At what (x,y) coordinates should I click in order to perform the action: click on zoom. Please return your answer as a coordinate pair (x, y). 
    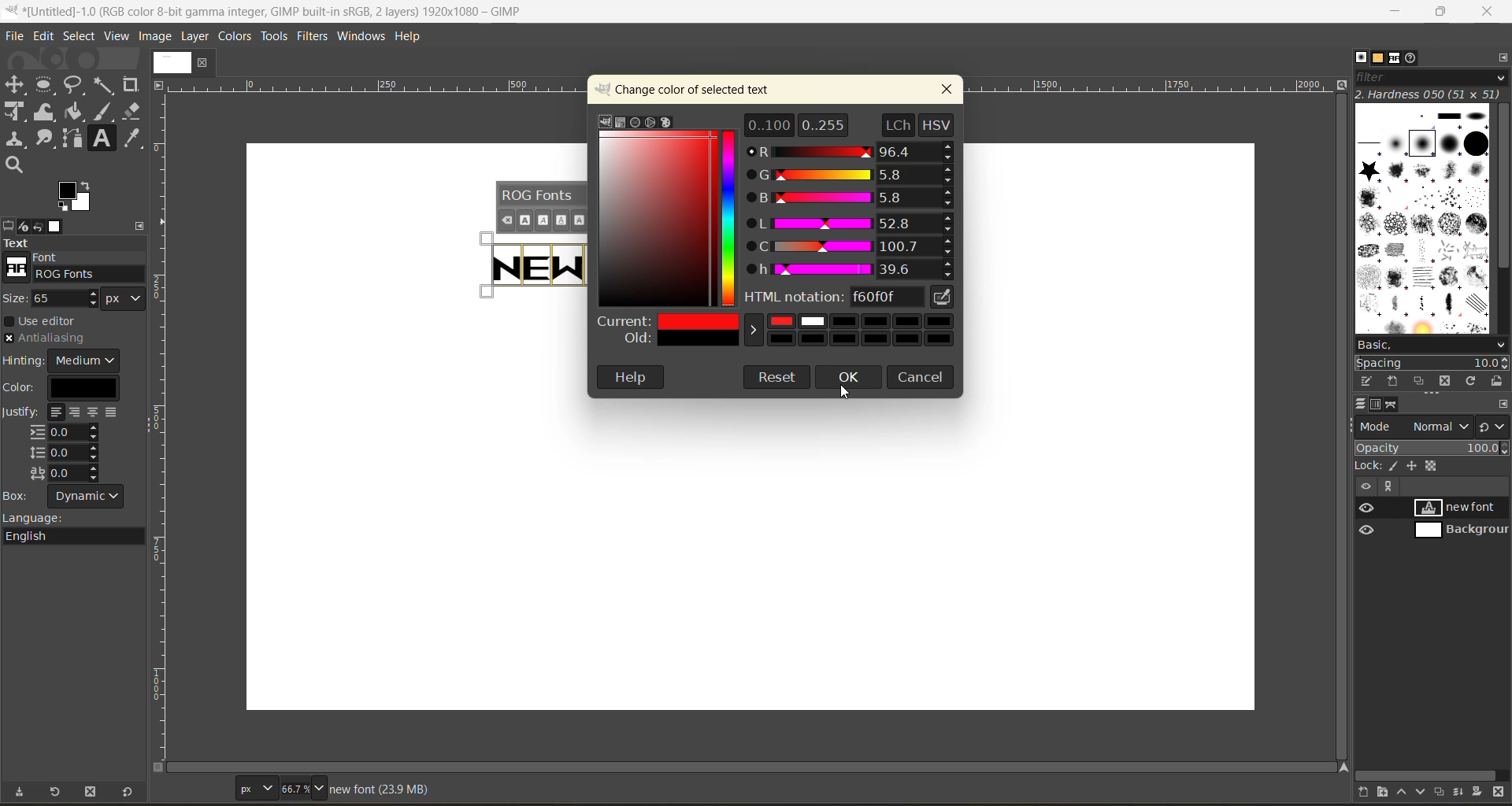
    Looking at the image, I should click on (305, 787).